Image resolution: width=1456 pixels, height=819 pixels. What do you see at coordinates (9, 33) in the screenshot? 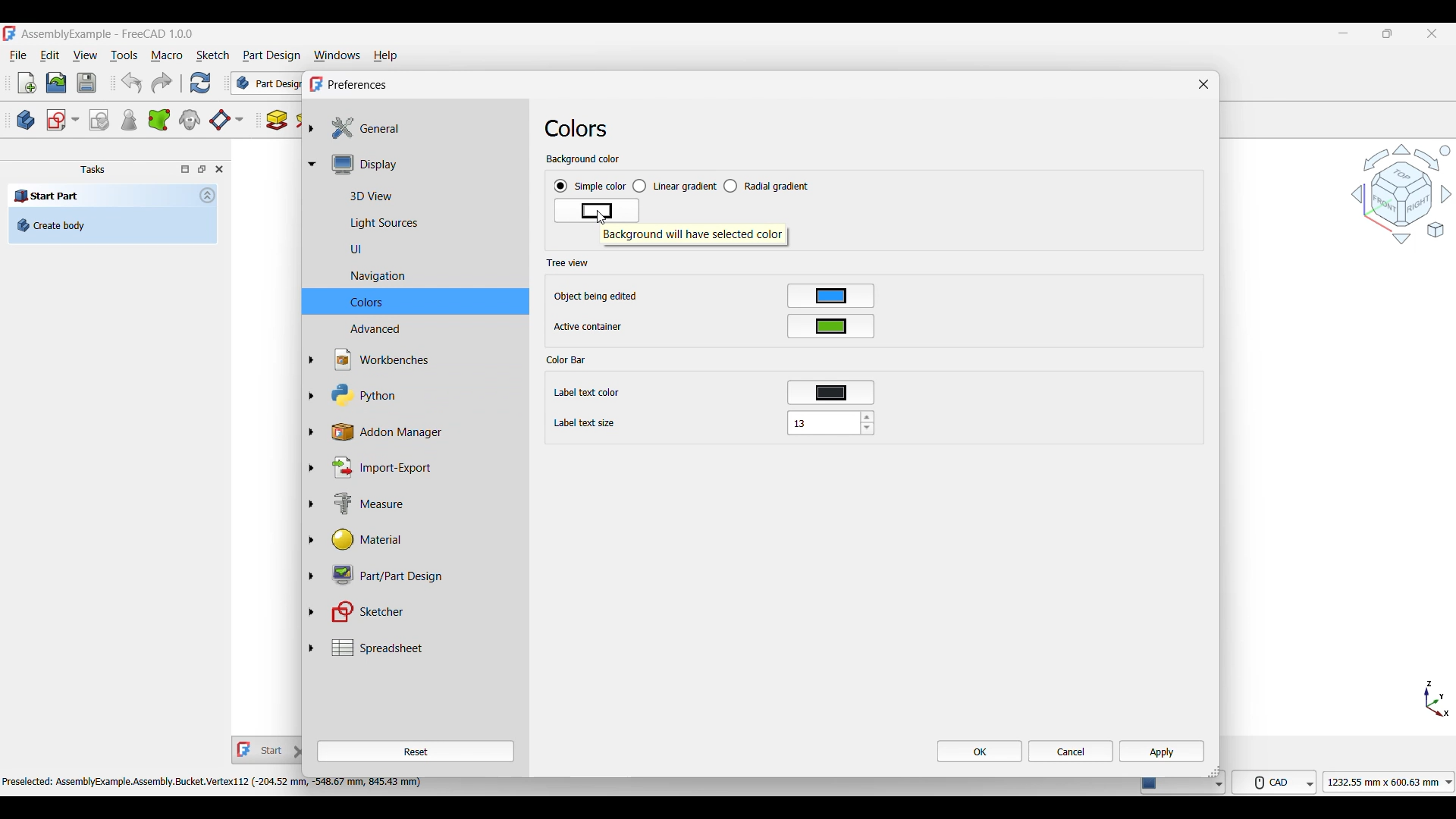
I see `Software logo` at bounding box center [9, 33].